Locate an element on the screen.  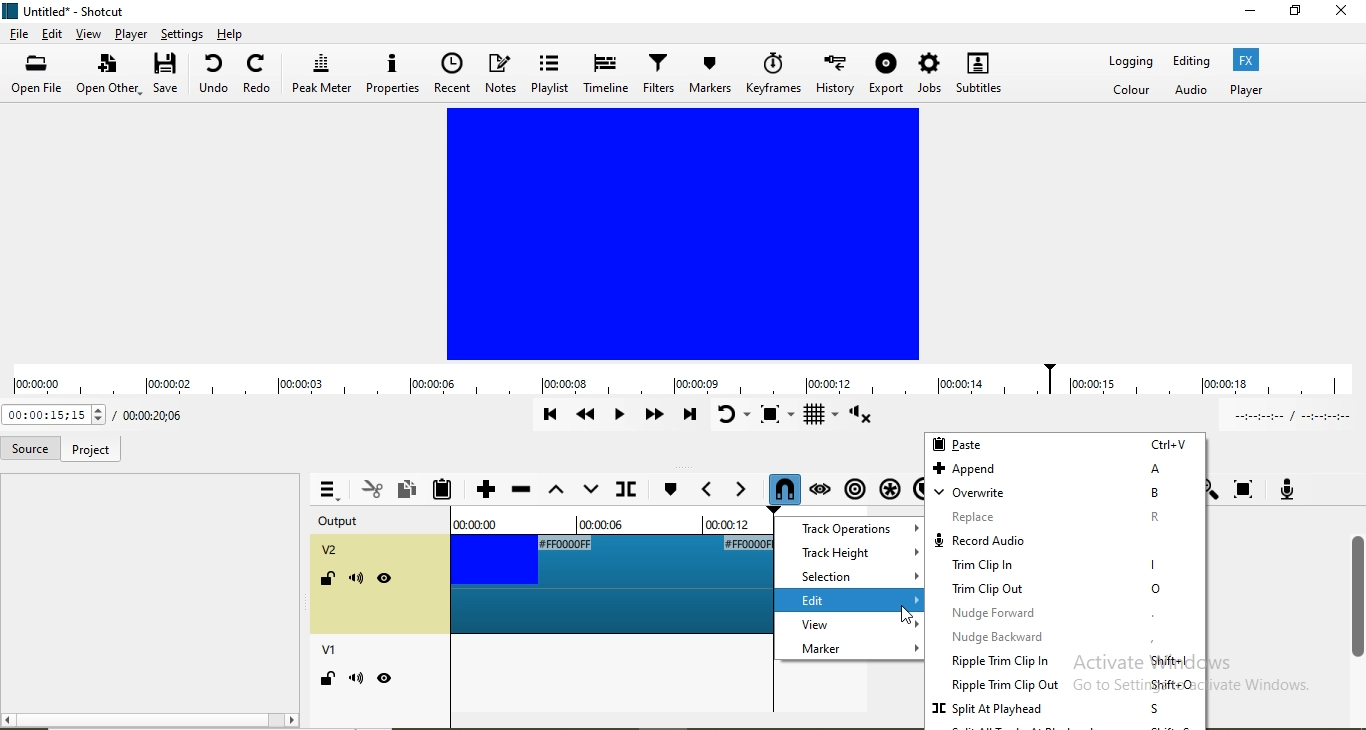
Logging is located at coordinates (1131, 64).